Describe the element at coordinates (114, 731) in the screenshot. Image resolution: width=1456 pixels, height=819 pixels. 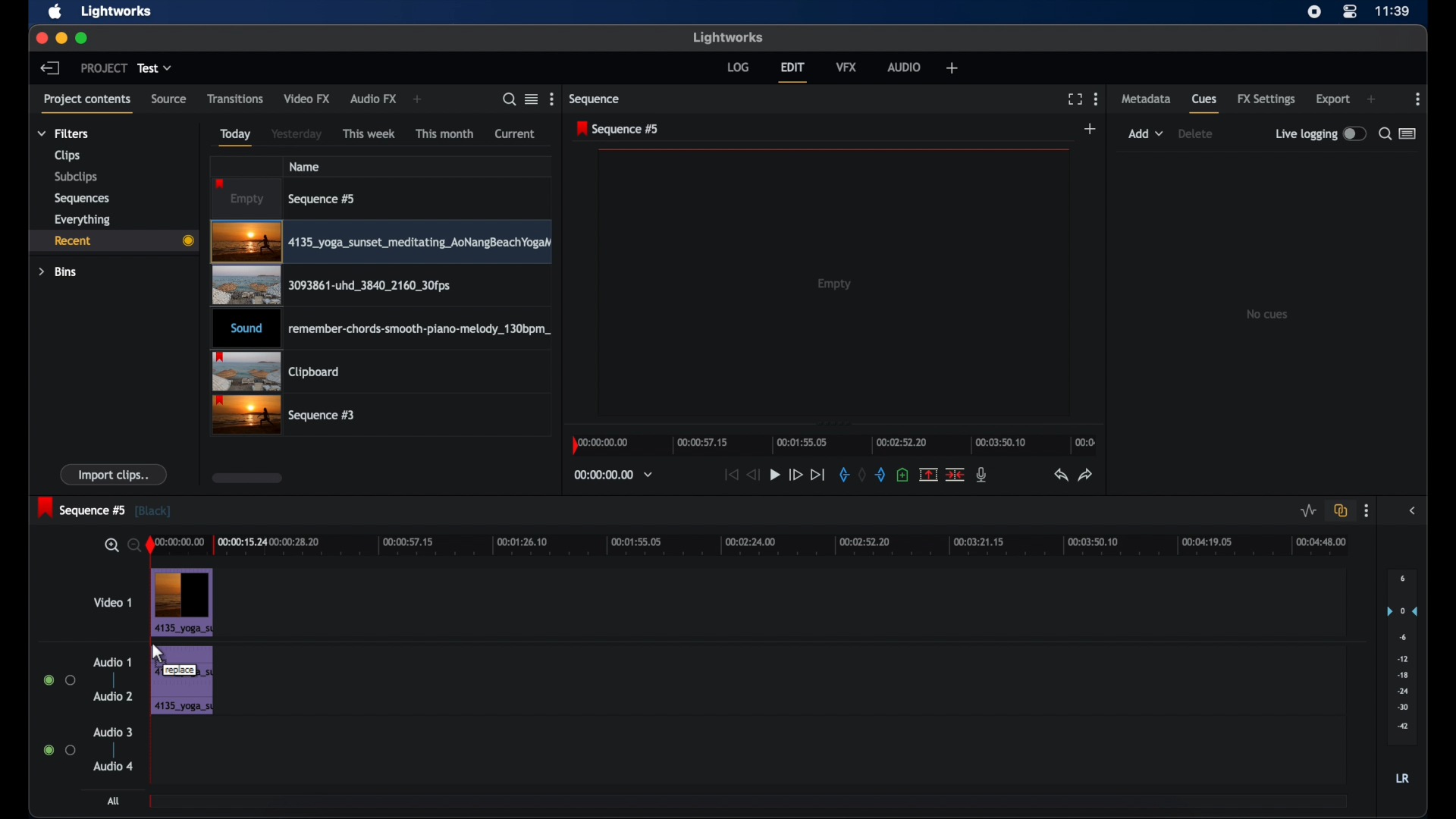
I see `audio 3` at that location.